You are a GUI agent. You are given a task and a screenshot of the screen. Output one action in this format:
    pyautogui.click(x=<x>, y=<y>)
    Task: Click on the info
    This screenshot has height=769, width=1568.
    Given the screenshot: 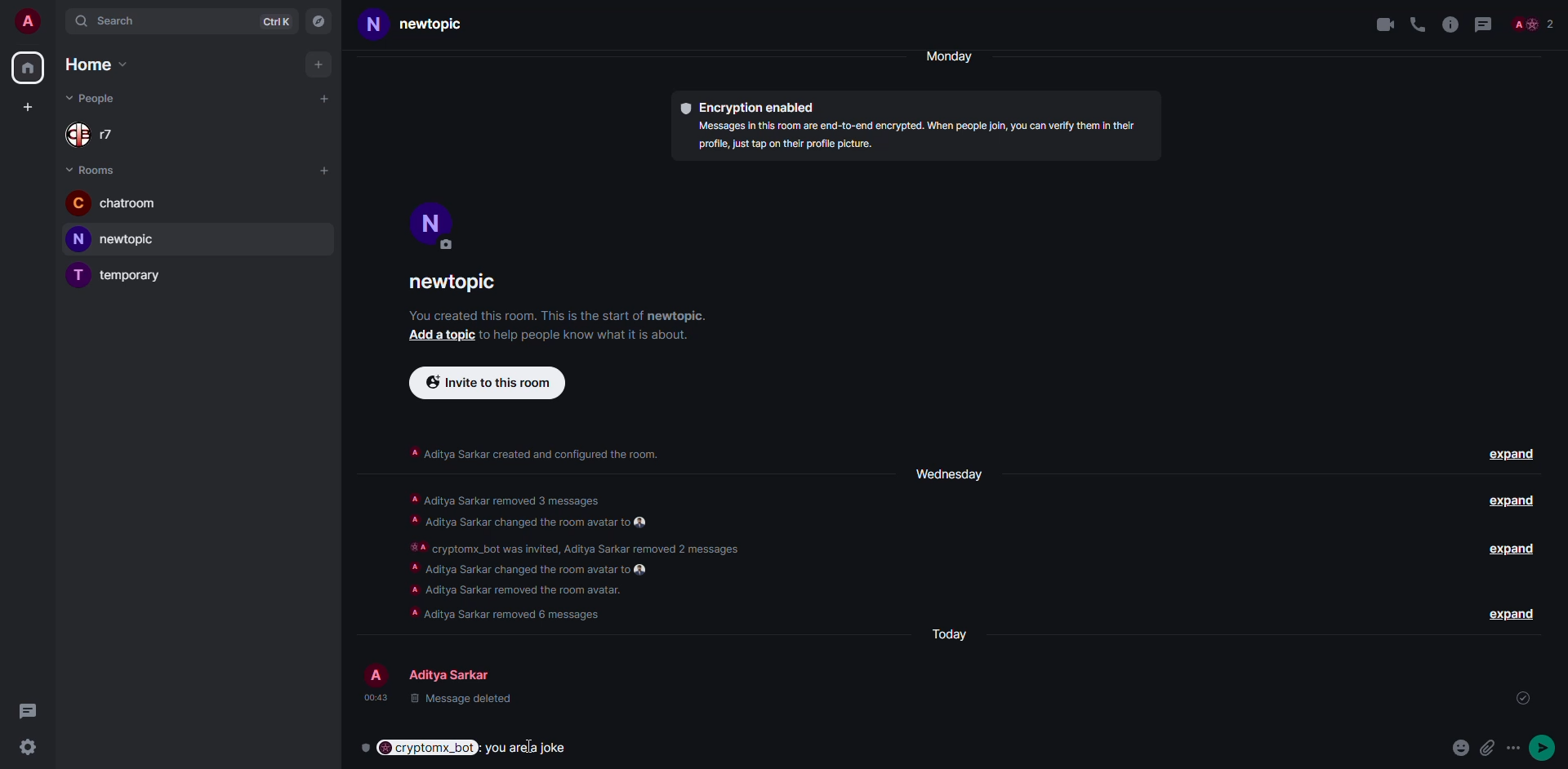 What is the action you would take?
    pyautogui.click(x=580, y=334)
    